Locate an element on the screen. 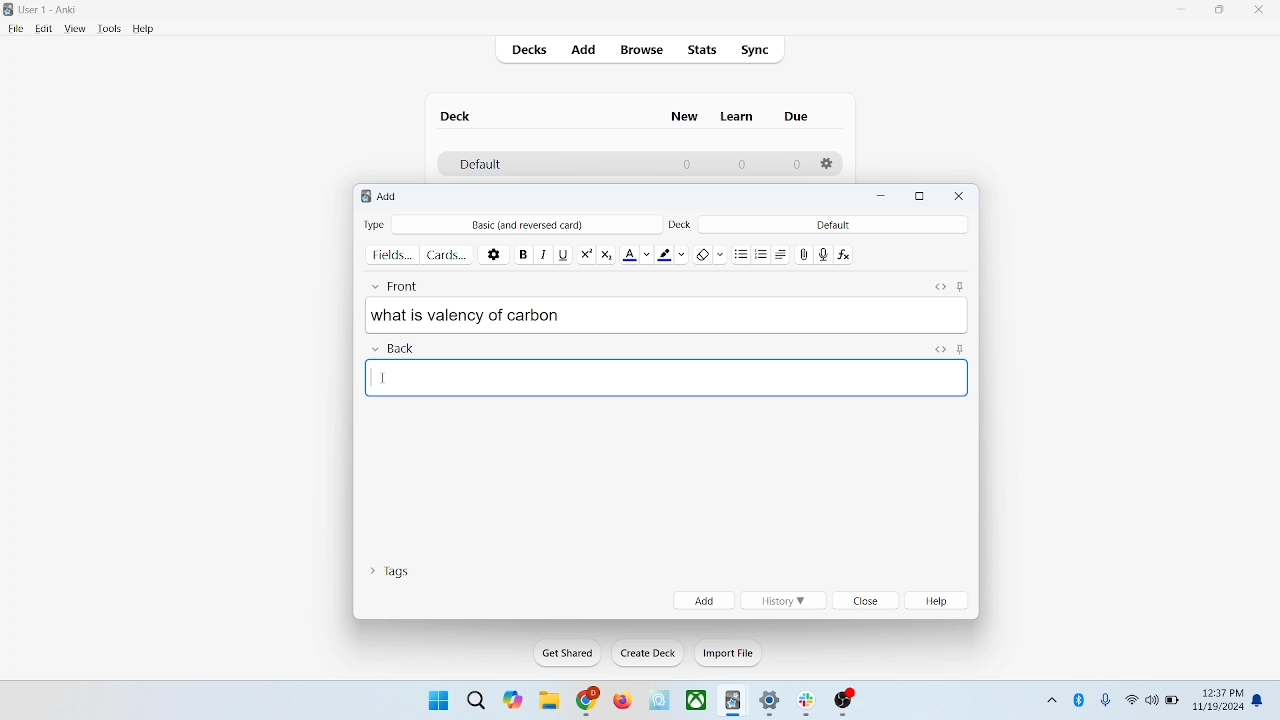 This screenshot has height=720, width=1280. options is located at coordinates (495, 253).